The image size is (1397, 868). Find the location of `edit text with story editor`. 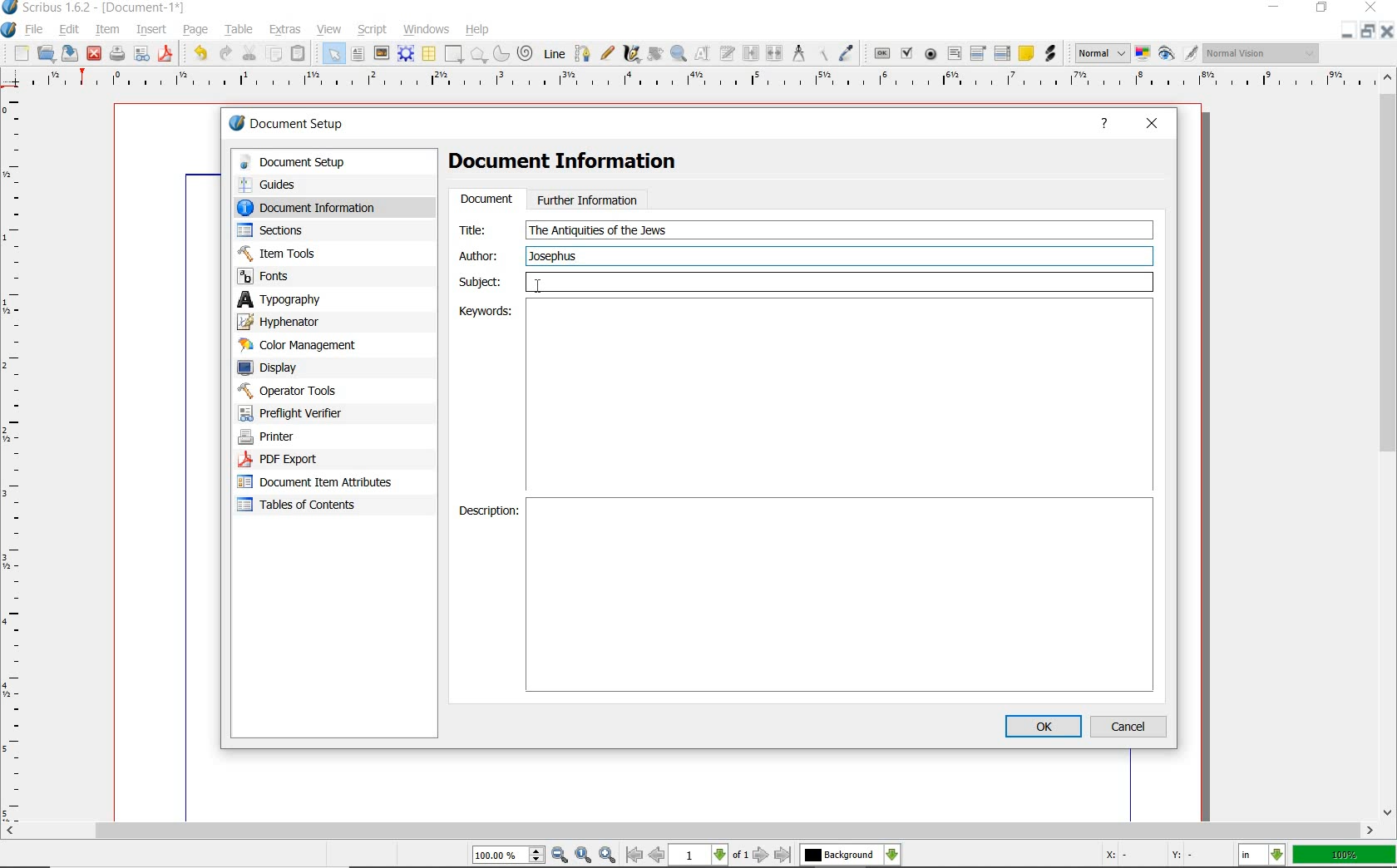

edit text with story editor is located at coordinates (728, 55).